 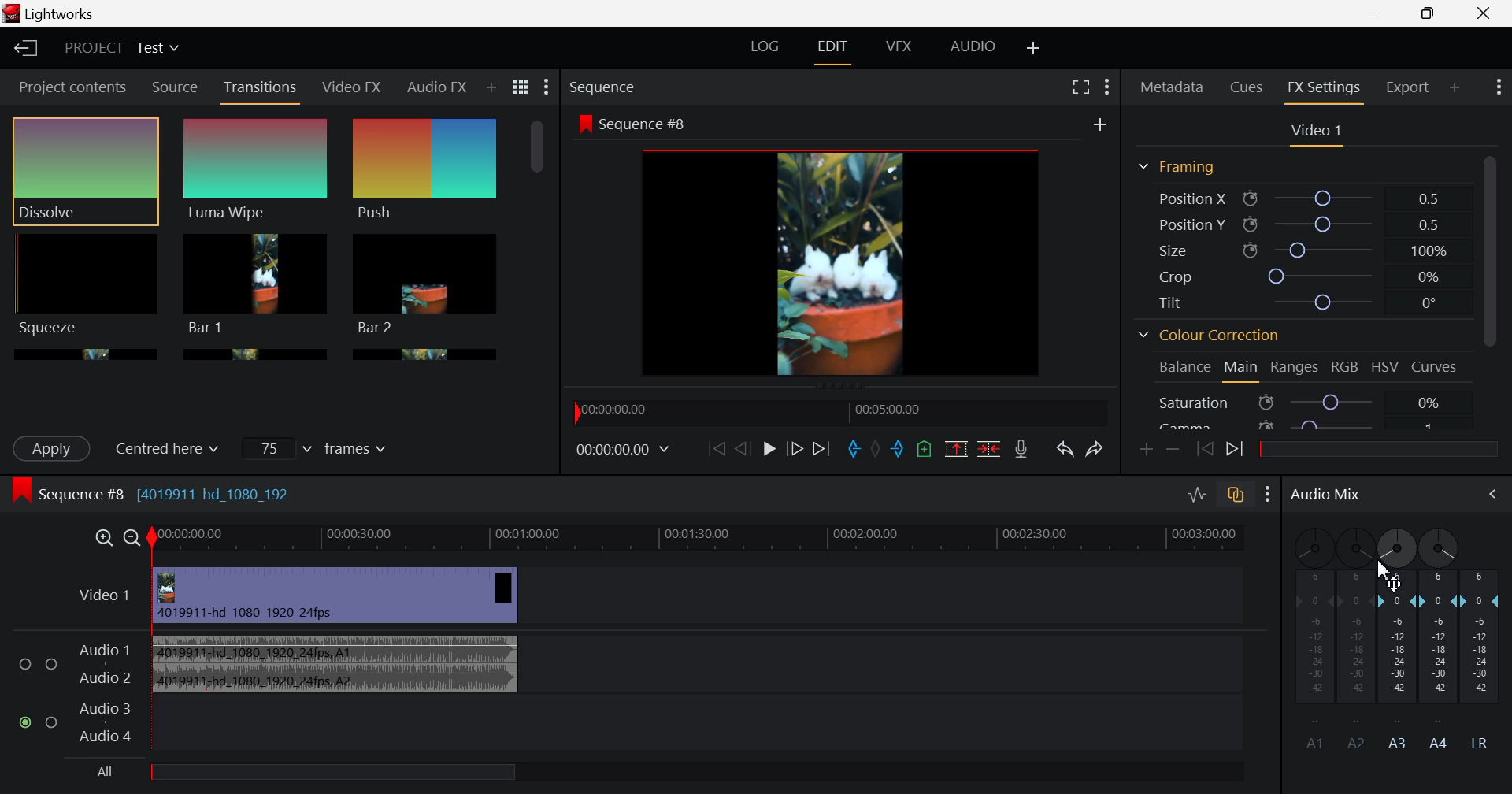 What do you see at coordinates (1303, 402) in the screenshot?
I see `Saturation` at bounding box center [1303, 402].